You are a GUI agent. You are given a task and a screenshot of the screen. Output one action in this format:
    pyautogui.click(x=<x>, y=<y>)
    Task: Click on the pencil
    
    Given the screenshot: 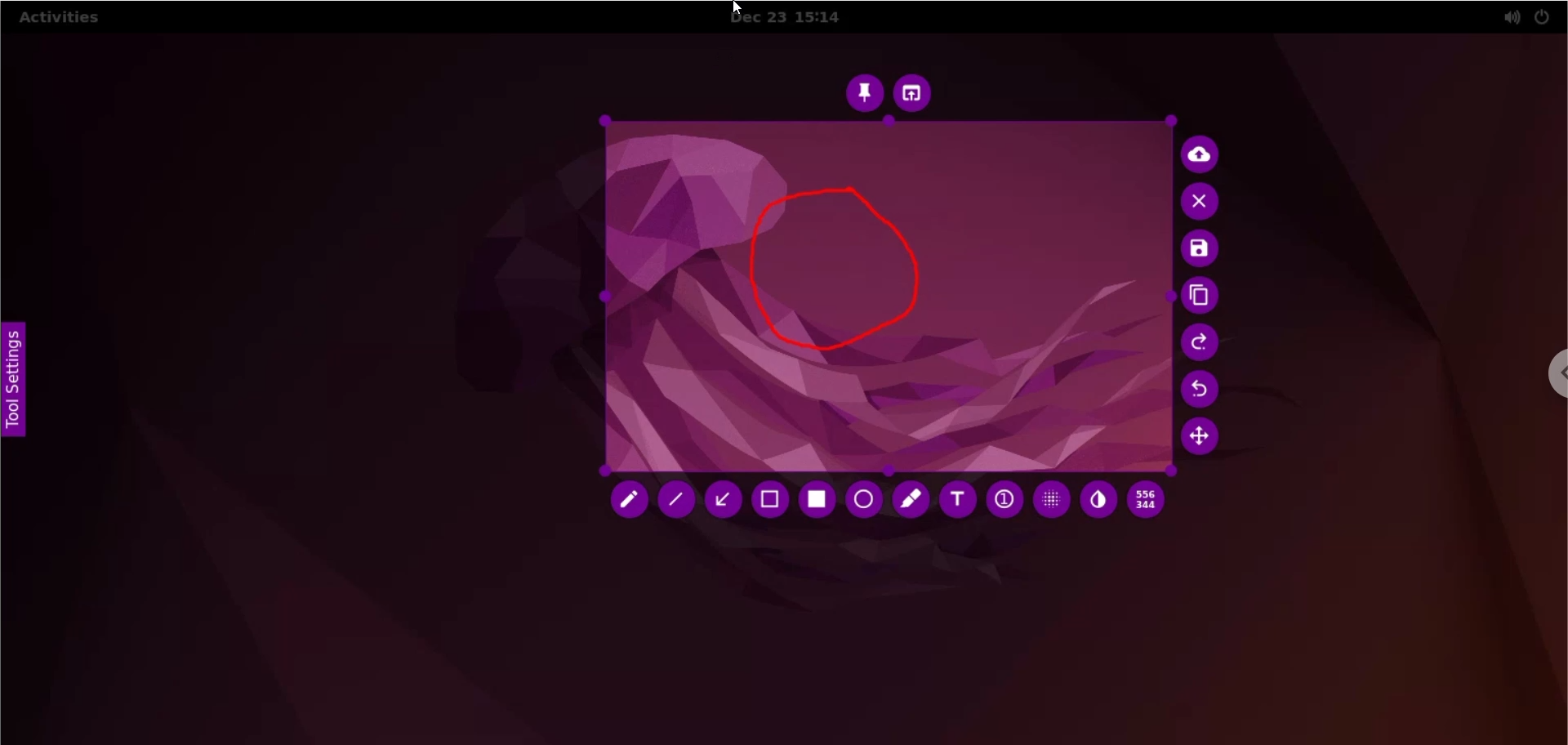 What is the action you would take?
    pyautogui.click(x=626, y=500)
    